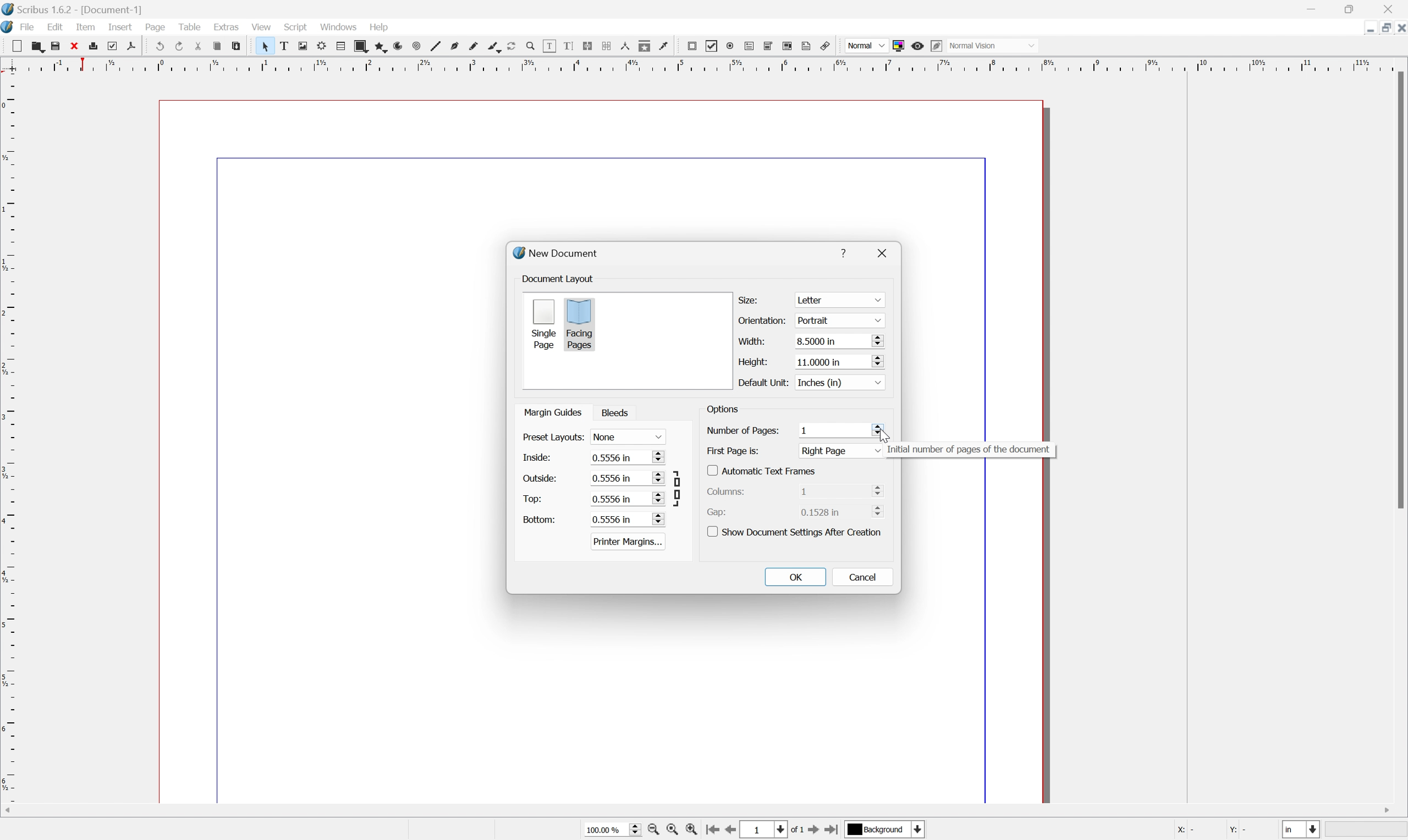 This screenshot has height=840, width=1408. I want to click on Extras, so click(226, 28).